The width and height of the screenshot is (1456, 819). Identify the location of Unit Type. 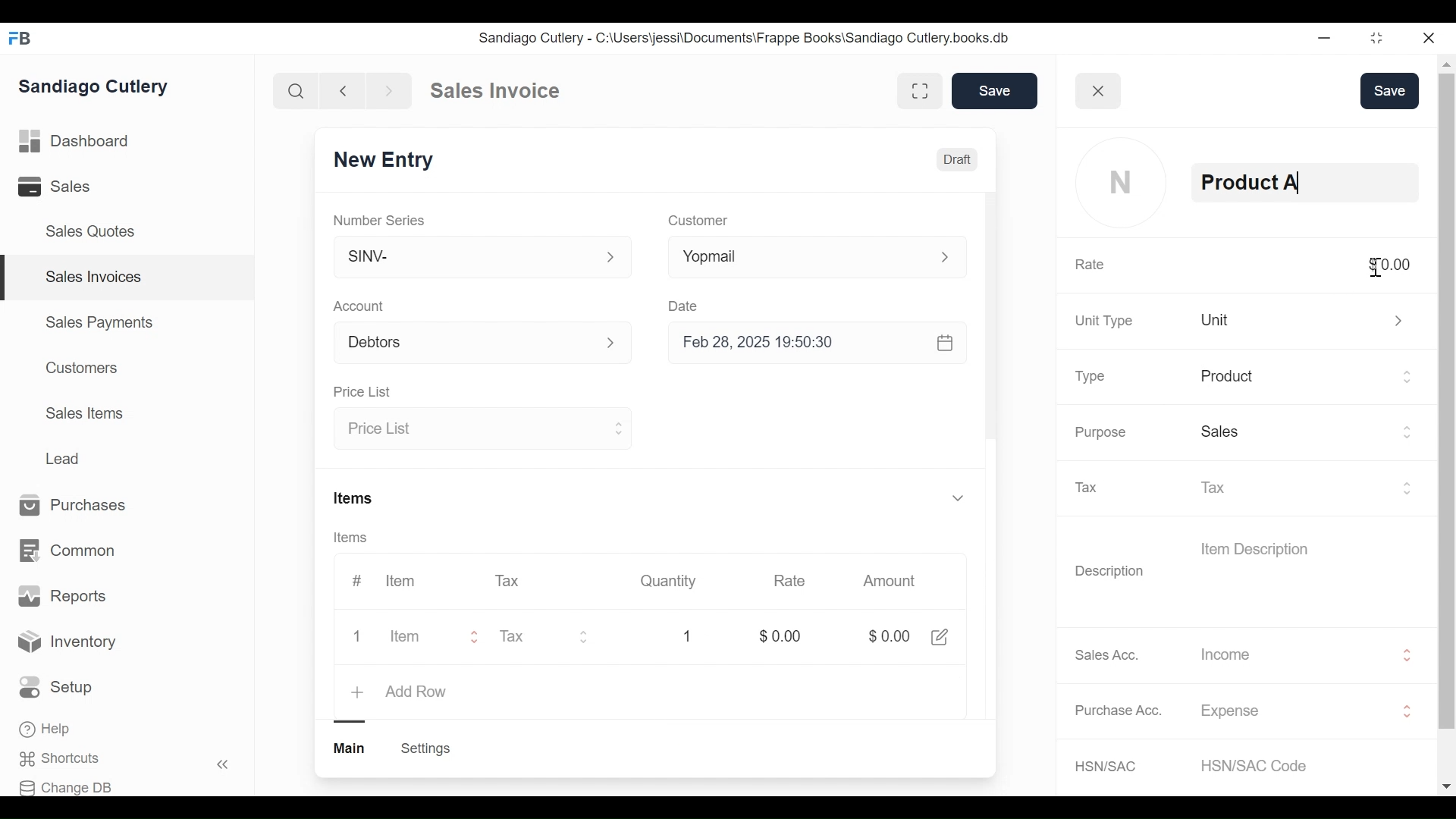
(1104, 322).